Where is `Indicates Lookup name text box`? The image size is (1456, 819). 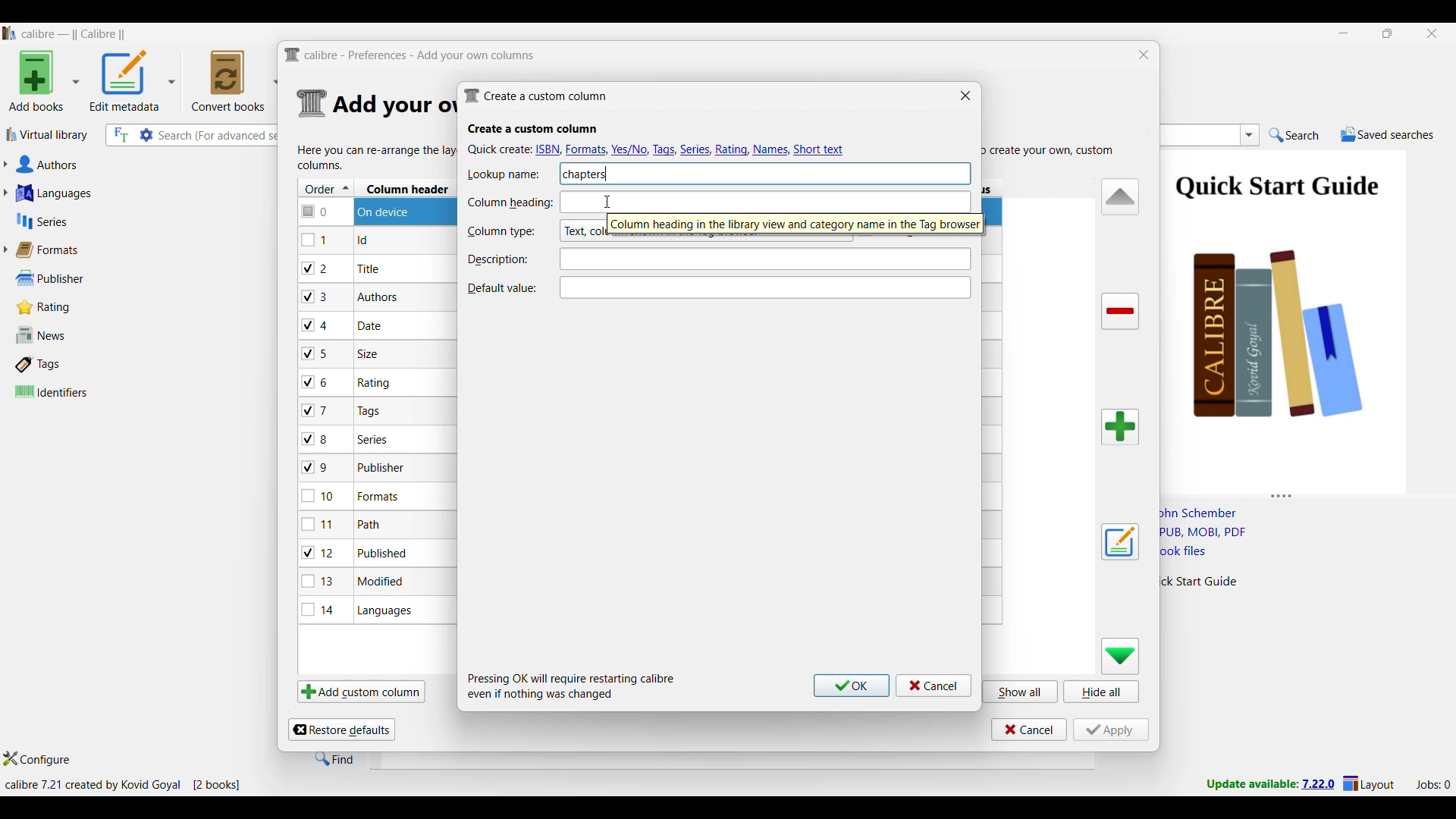 Indicates Lookup name text box is located at coordinates (509, 174).